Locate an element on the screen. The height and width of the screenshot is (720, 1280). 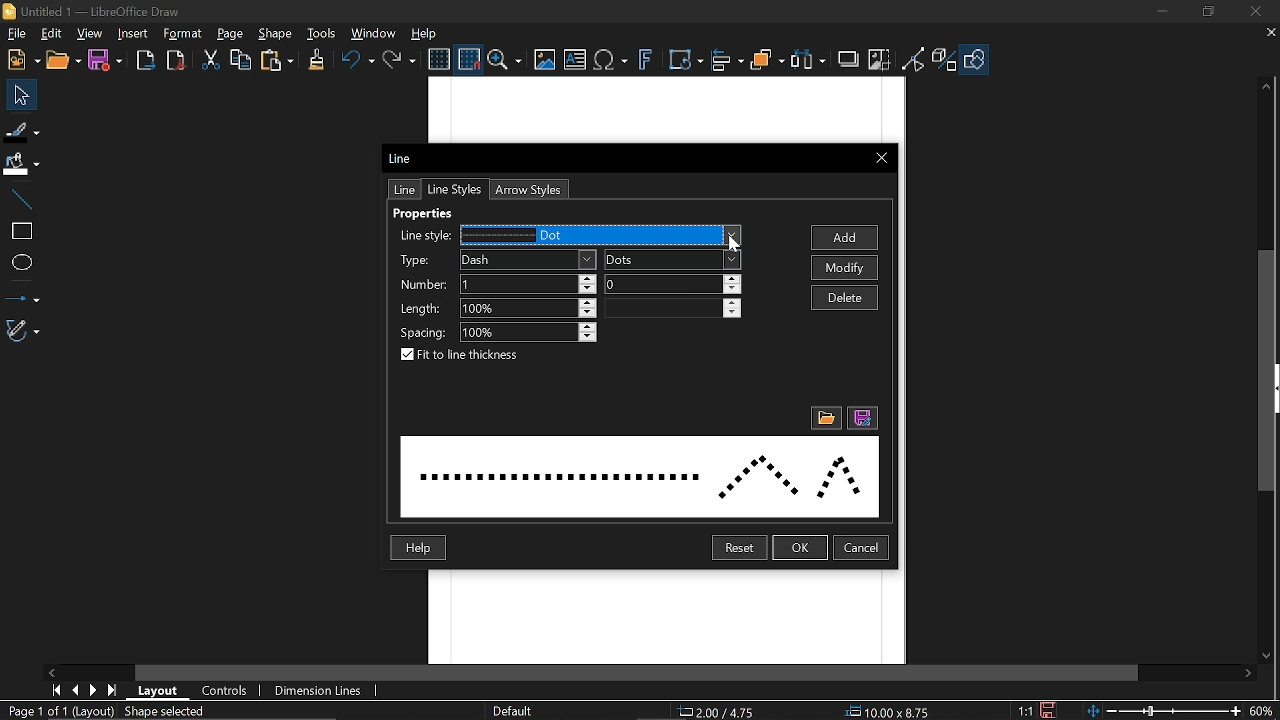
Size is located at coordinates (894, 712).